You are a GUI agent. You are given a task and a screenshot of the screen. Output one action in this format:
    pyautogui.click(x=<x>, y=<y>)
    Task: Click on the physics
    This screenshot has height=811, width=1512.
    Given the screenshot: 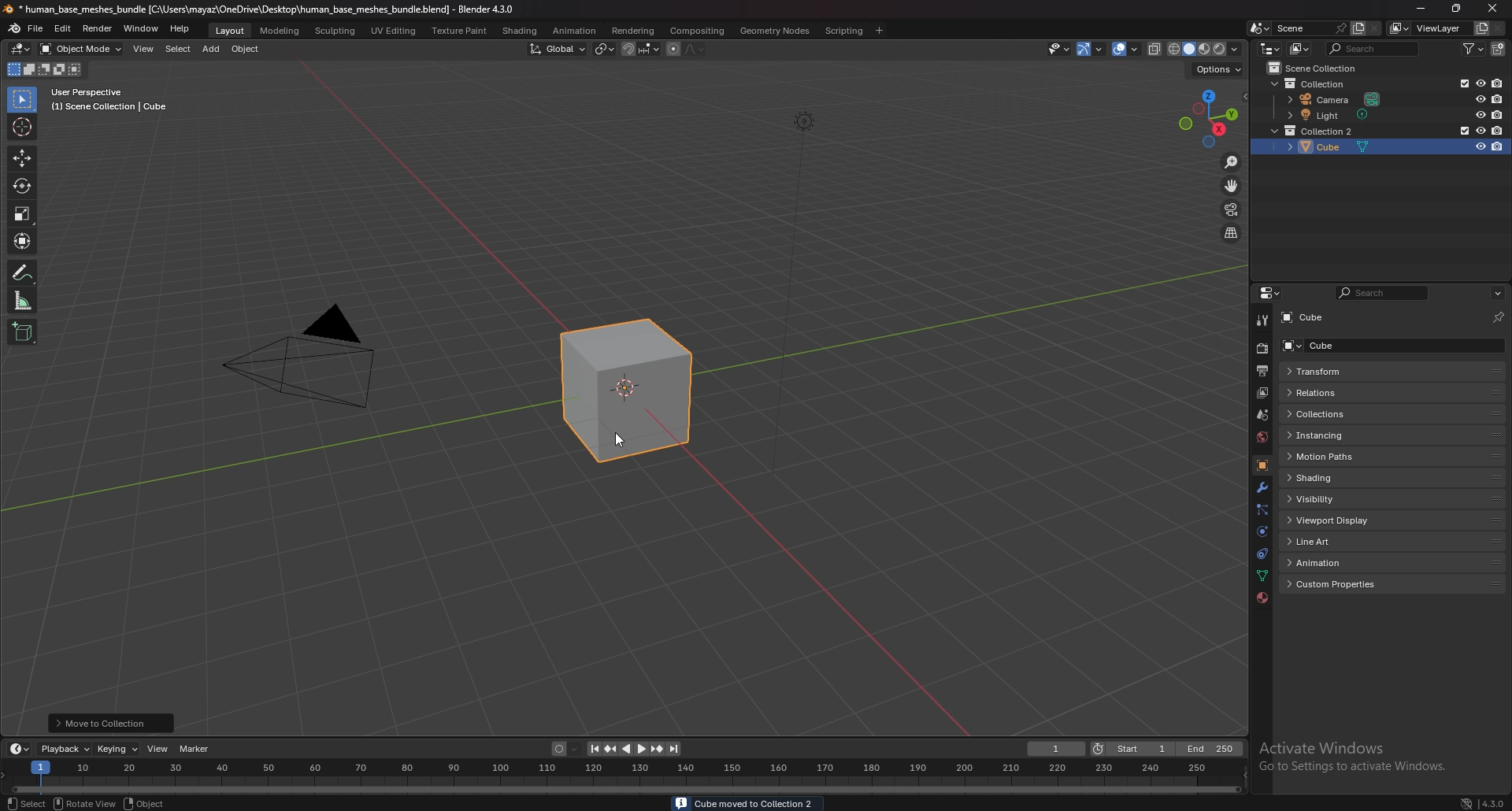 What is the action you would take?
    pyautogui.click(x=1263, y=531)
    